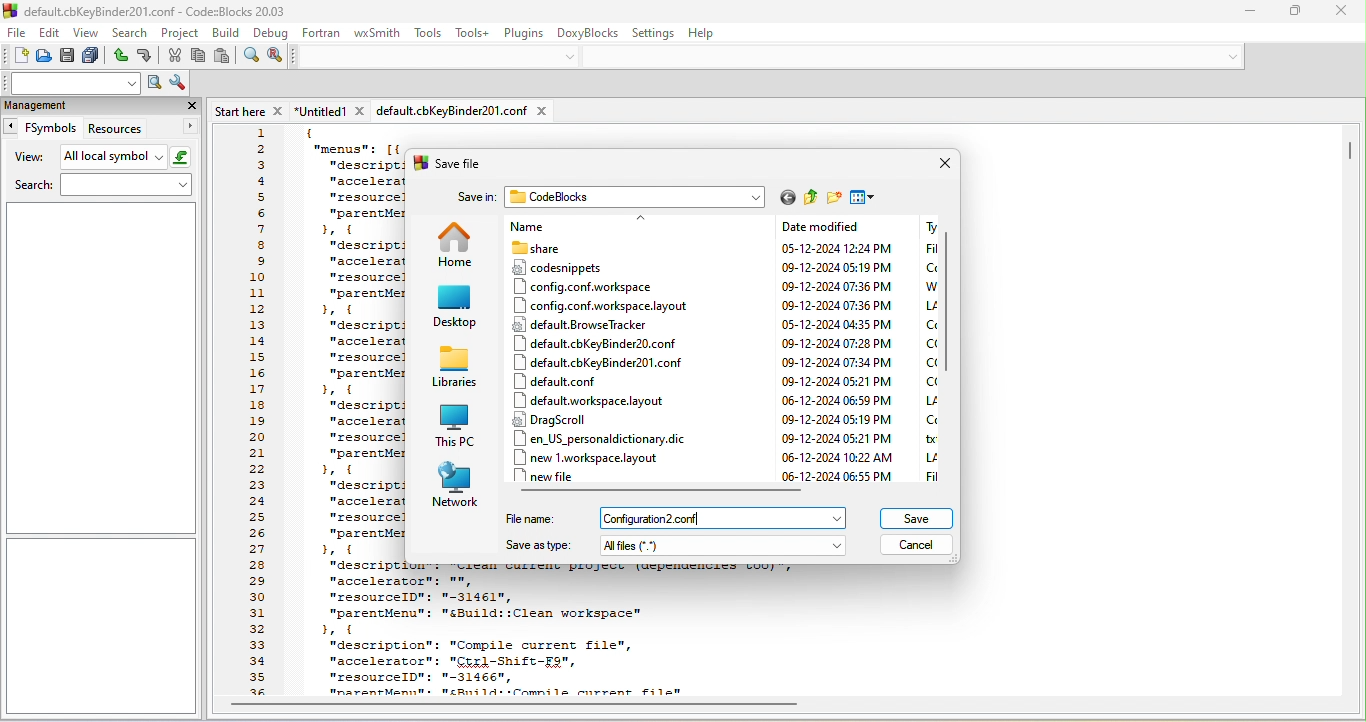 This screenshot has height=722, width=1366. What do you see at coordinates (91, 55) in the screenshot?
I see `save everything` at bounding box center [91, 55].